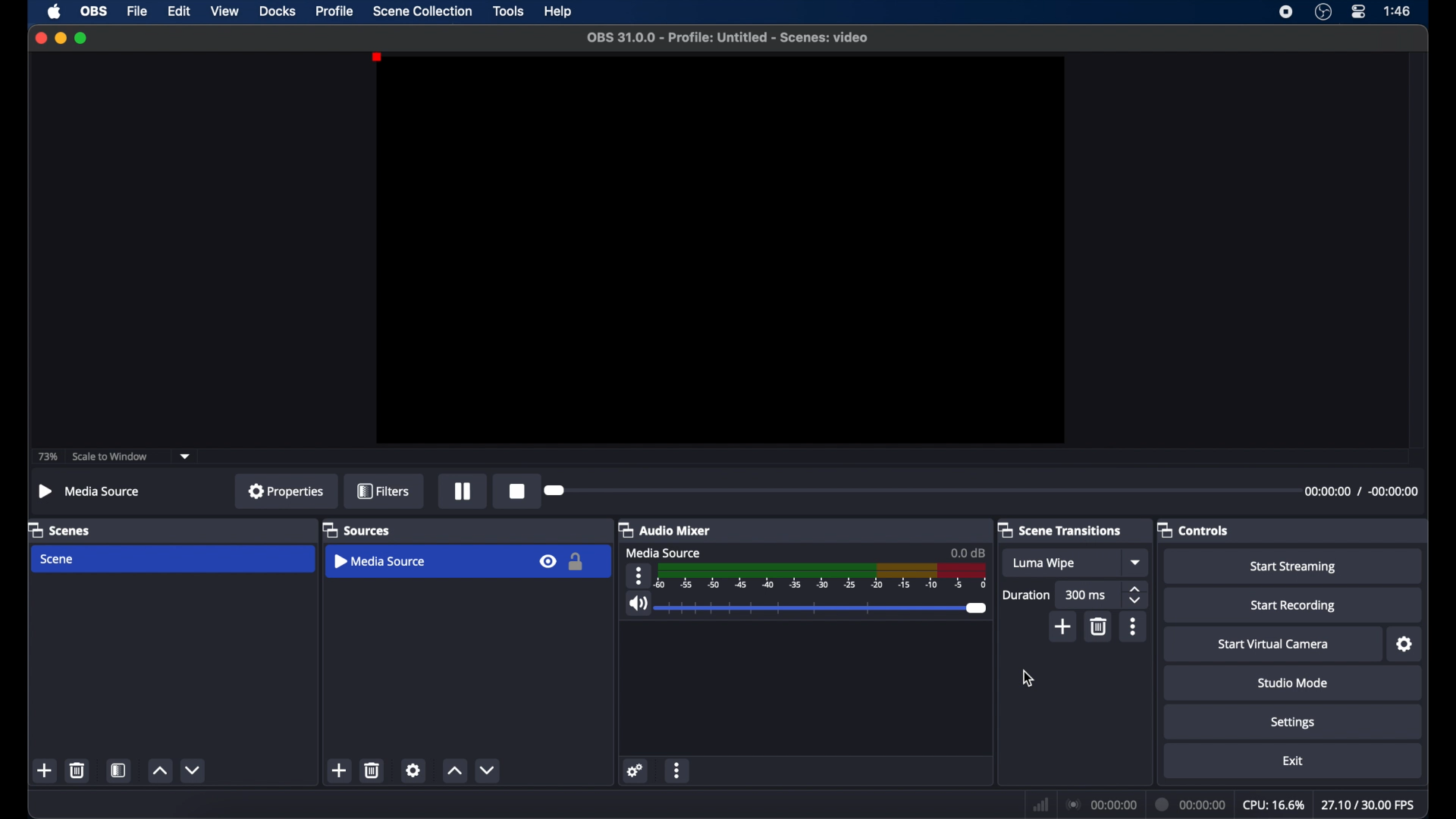 The image size is (1456, 819). I want to click on timestamp, so click(1360, 491).